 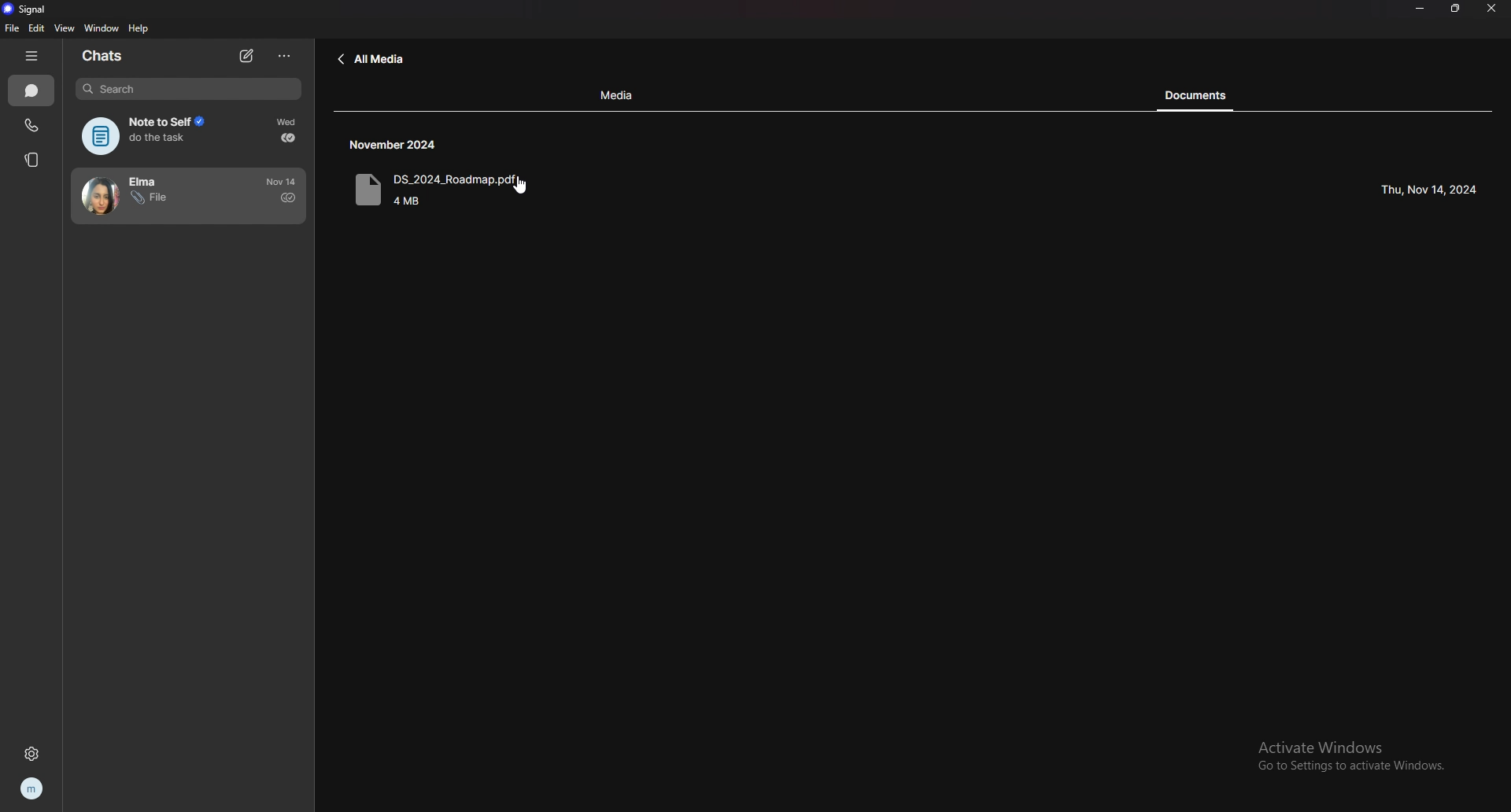 What do you see at coordinates (35, 29) in the screenshot?
I see `edit` at bounding box center [35, 29].